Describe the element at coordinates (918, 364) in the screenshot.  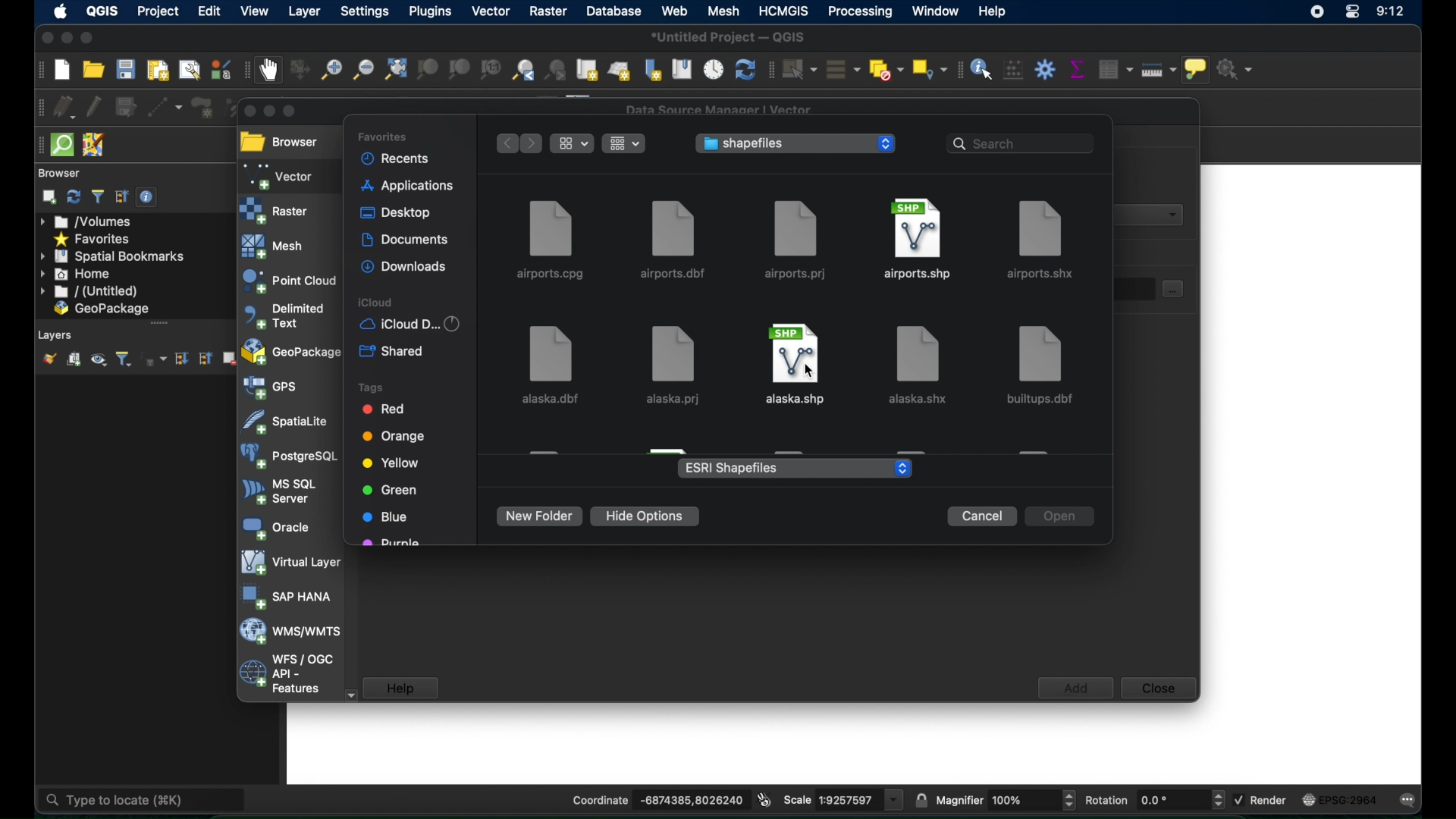
I see `file` at that location.